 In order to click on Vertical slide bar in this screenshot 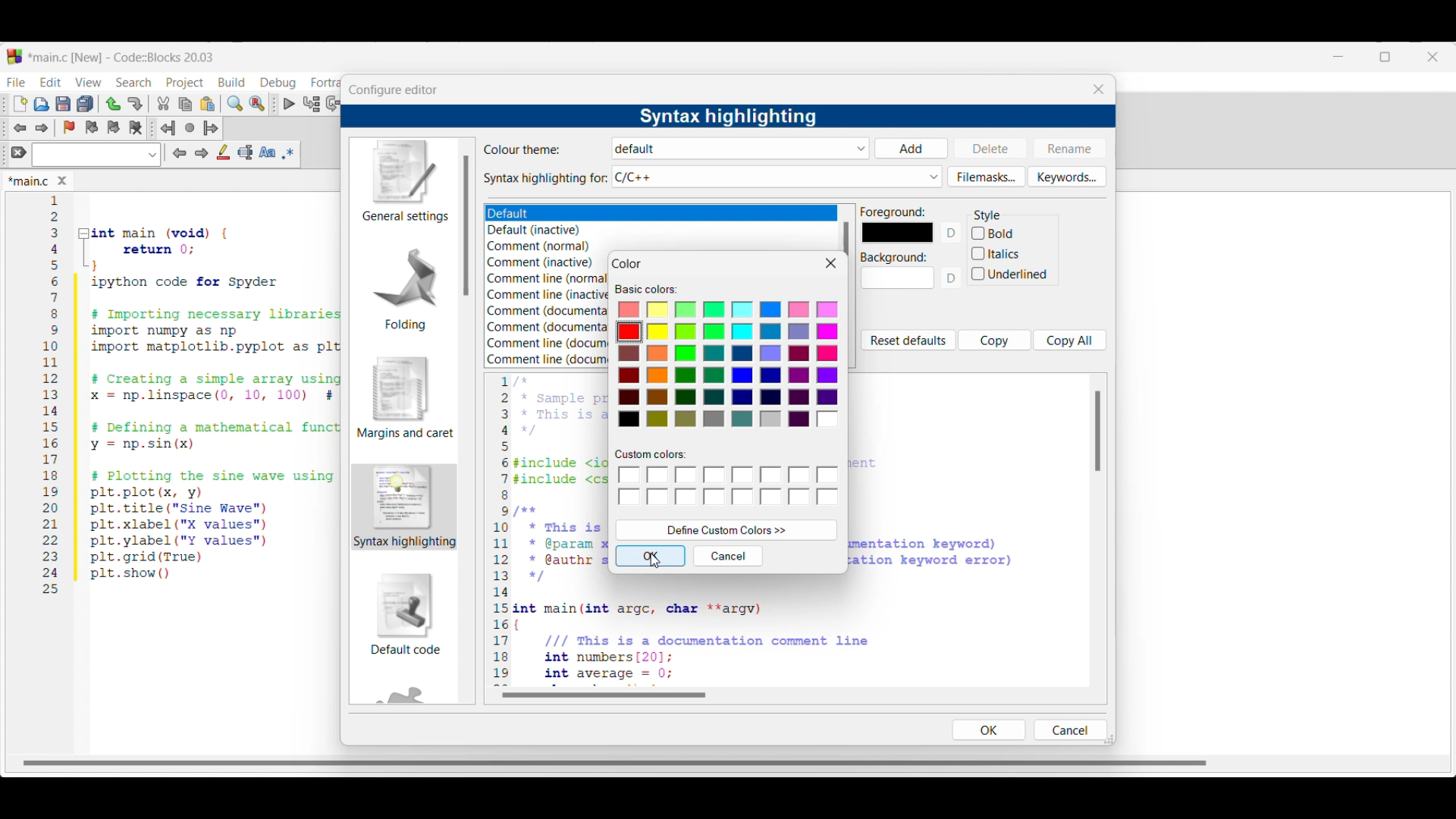, I will do `click(466, 225)`.